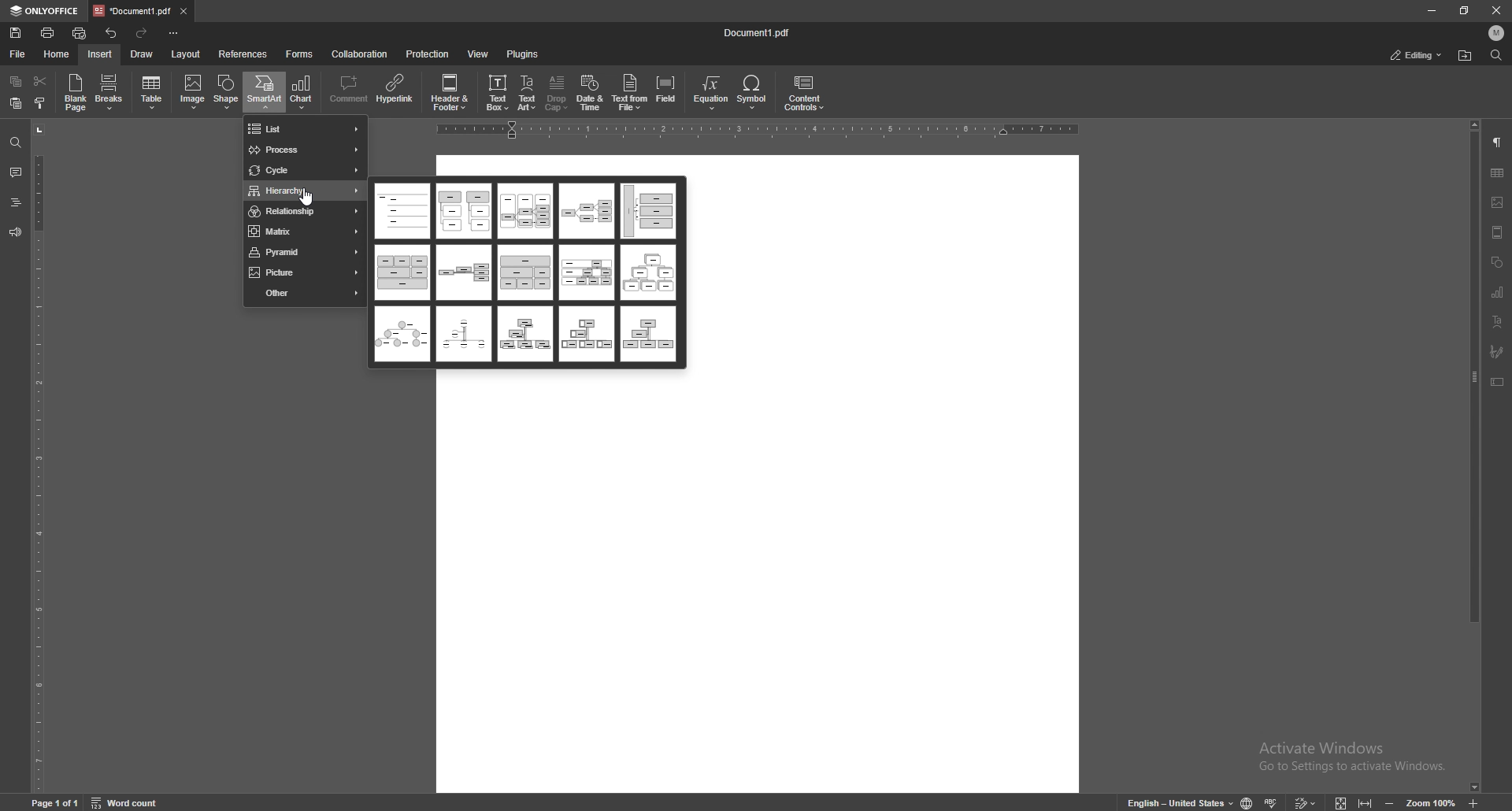 This screenshot has width=1512, height=811. What do you see at coordinates (1475, 457) in the screenshot?
I see `scroll bar` at bounding box center [1475, 457].